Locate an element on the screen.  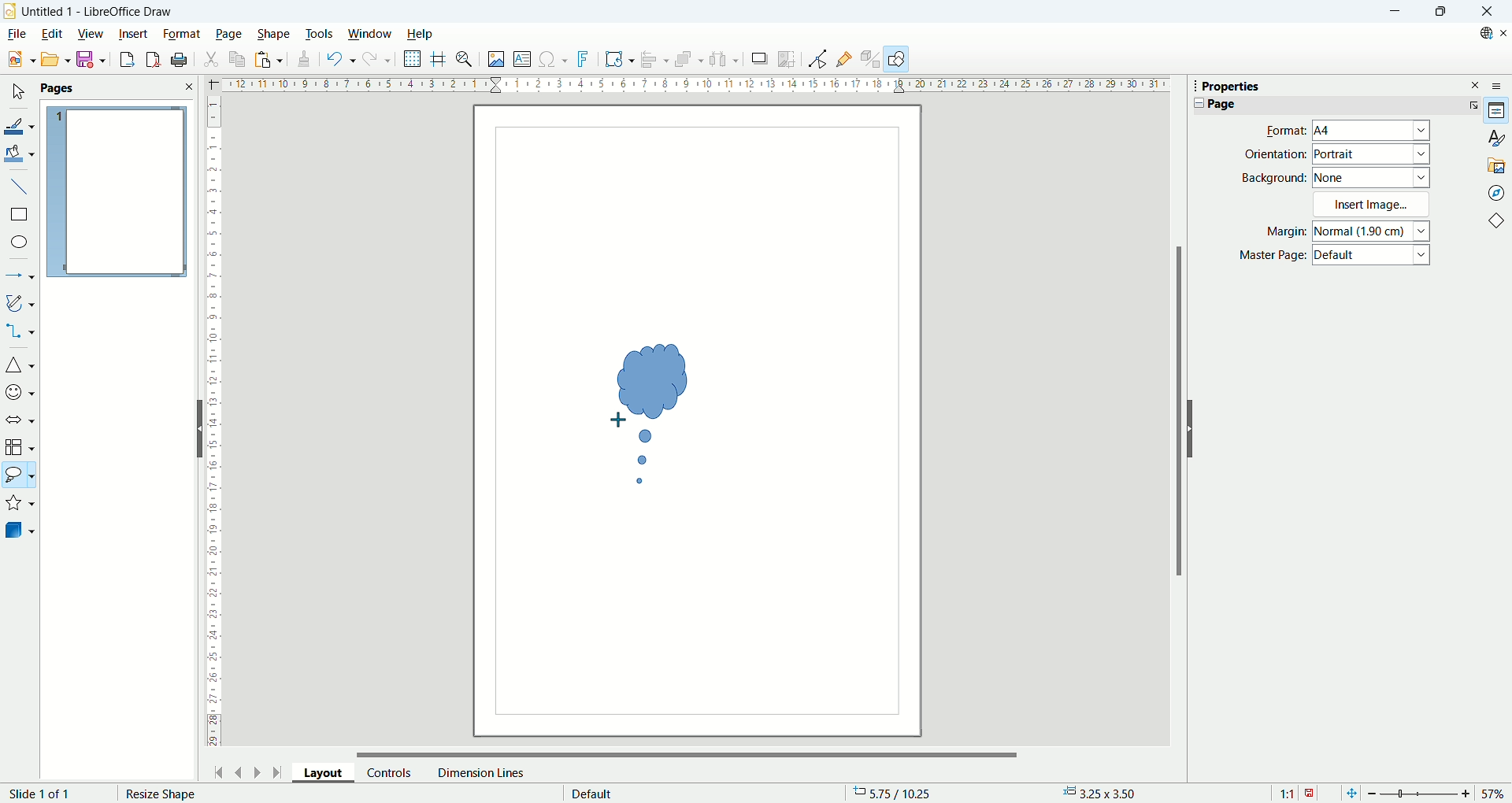
Background is located at coordinates (1274, 177).